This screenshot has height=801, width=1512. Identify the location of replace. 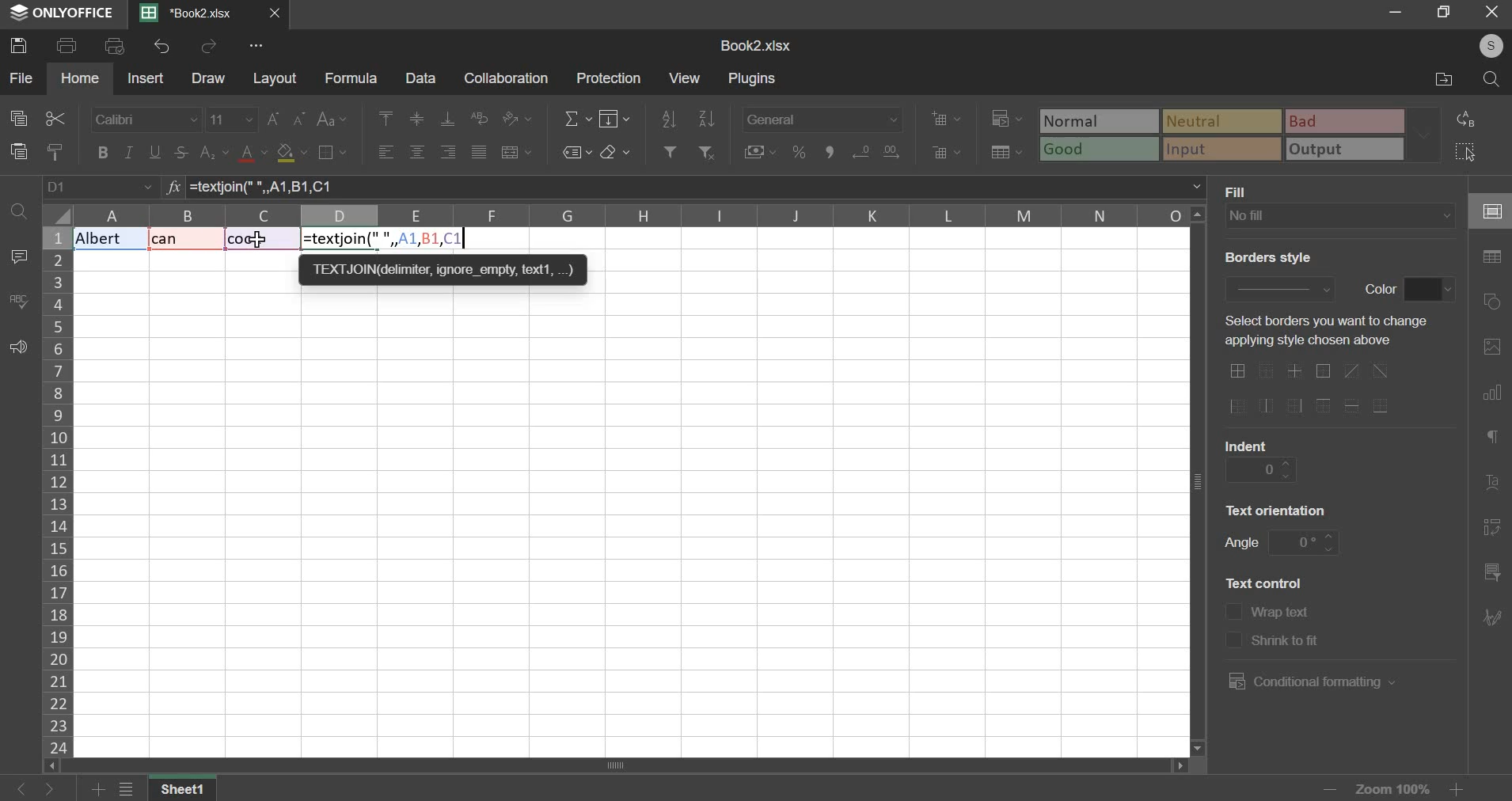
(1471, 119).